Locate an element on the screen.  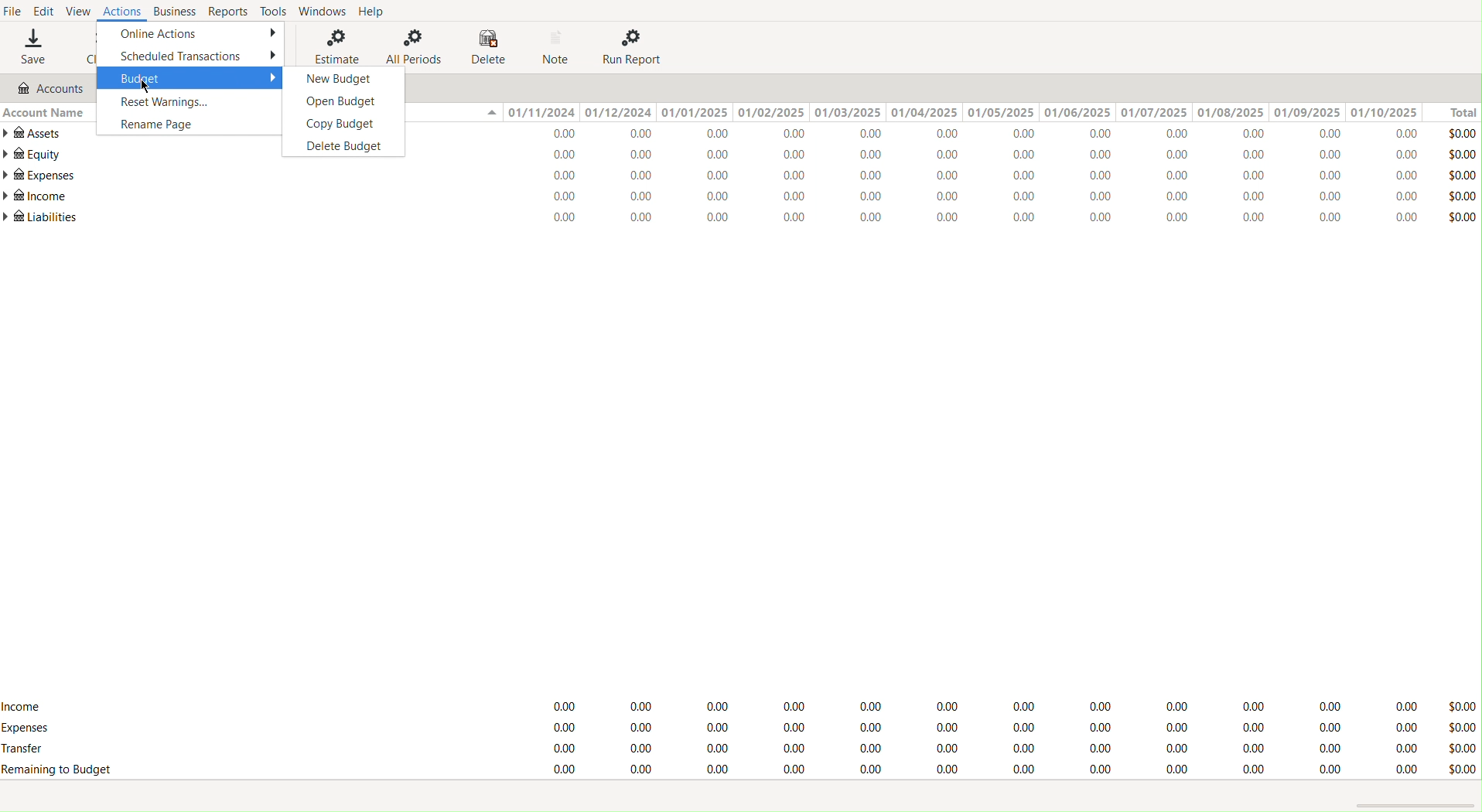
View is located at coordinates (84, 12).